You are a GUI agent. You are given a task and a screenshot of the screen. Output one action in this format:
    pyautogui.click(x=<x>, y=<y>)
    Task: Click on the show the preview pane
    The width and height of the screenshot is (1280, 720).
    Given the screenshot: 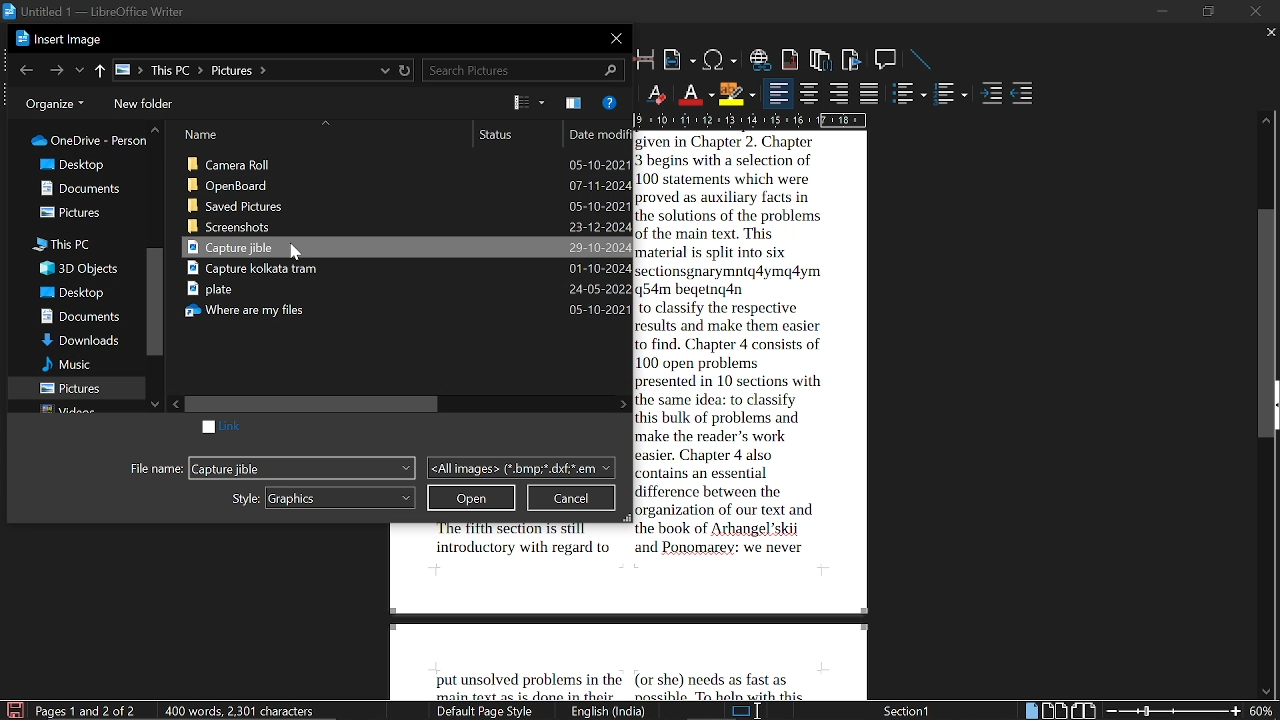 What is the action you would take?
    pyautogui.click(x=577, y=104)
    